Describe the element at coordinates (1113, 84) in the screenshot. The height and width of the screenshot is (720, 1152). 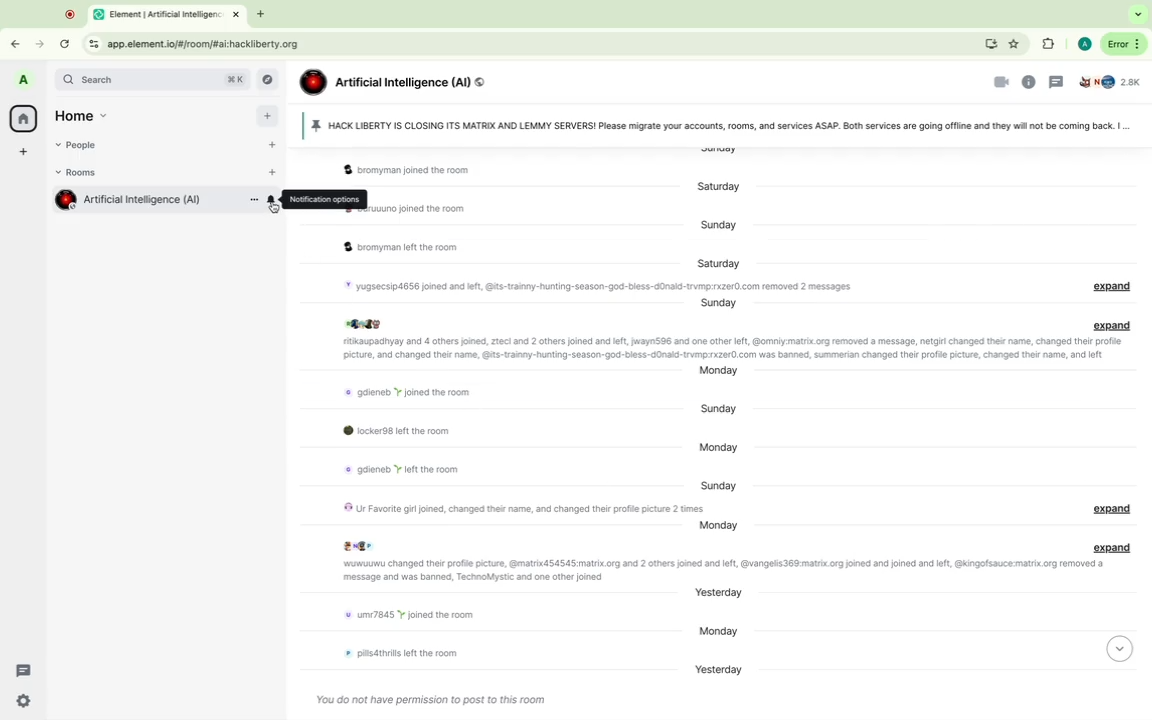
I see `People` at that location.